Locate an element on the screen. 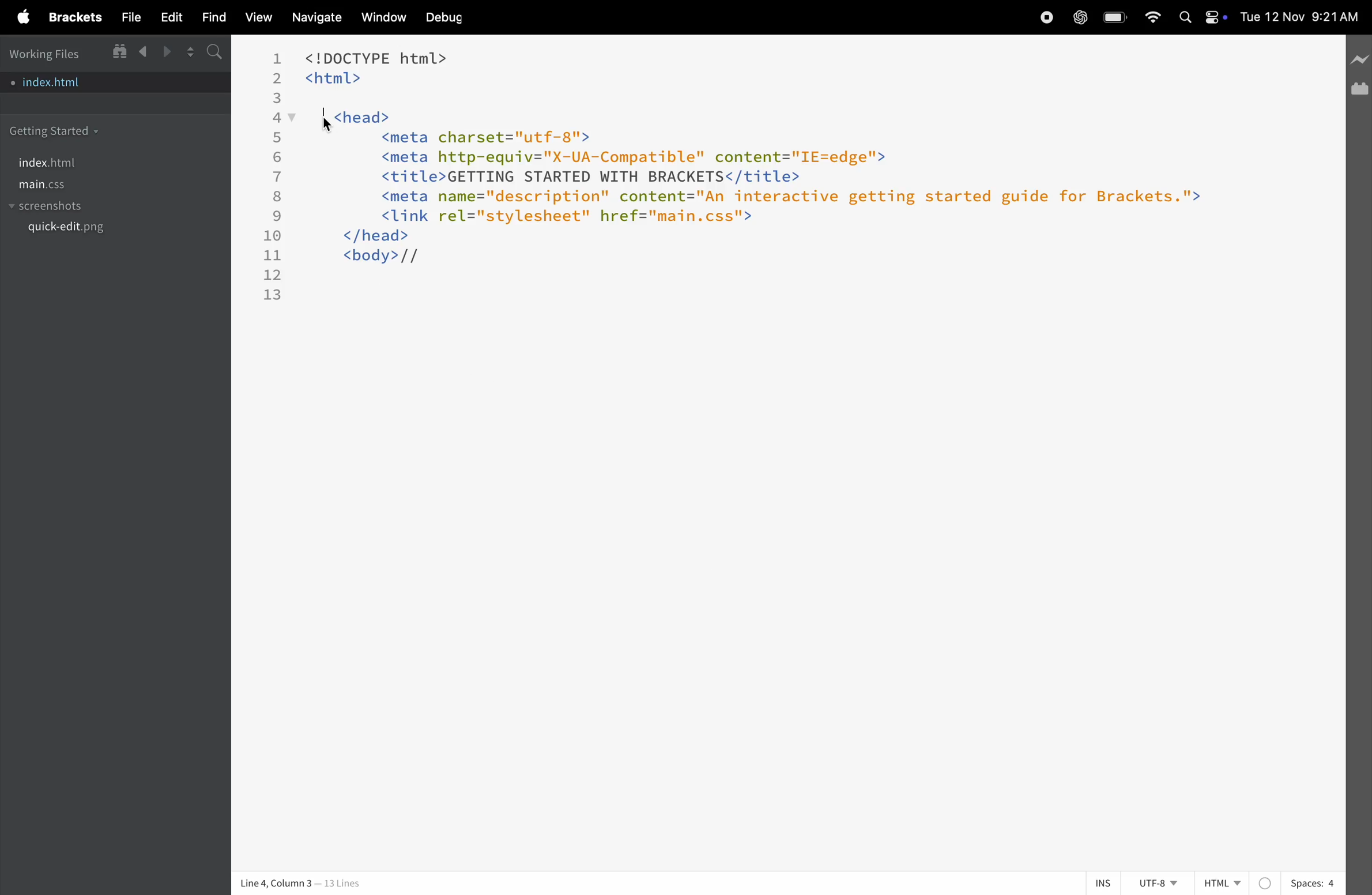 The image size is (1372, 895). navigate is located at coordinates (314, 19).